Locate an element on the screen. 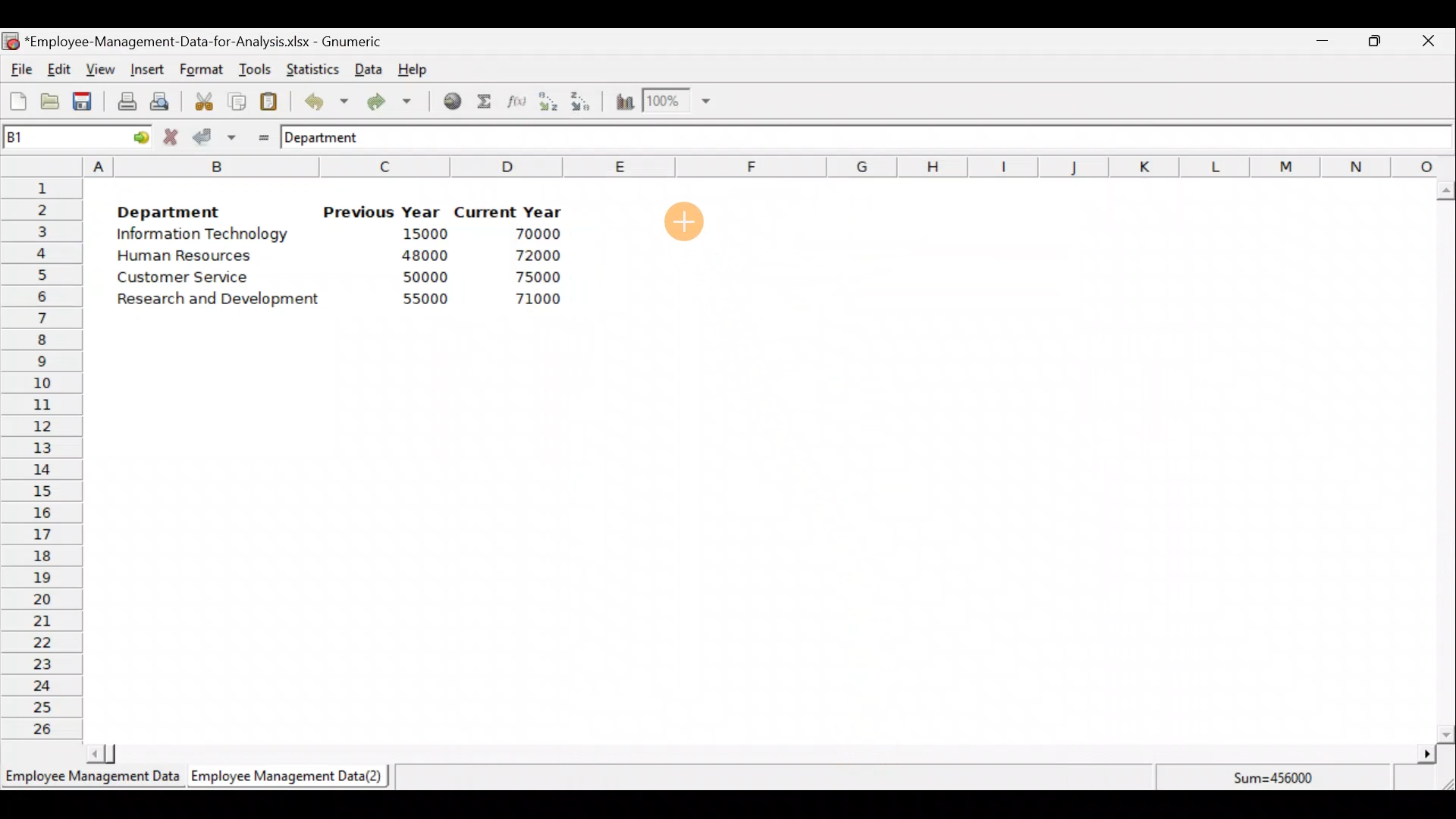 The height and width of the screenshot is (819, 1456). Human Resources is located at coordinates (192, 257).